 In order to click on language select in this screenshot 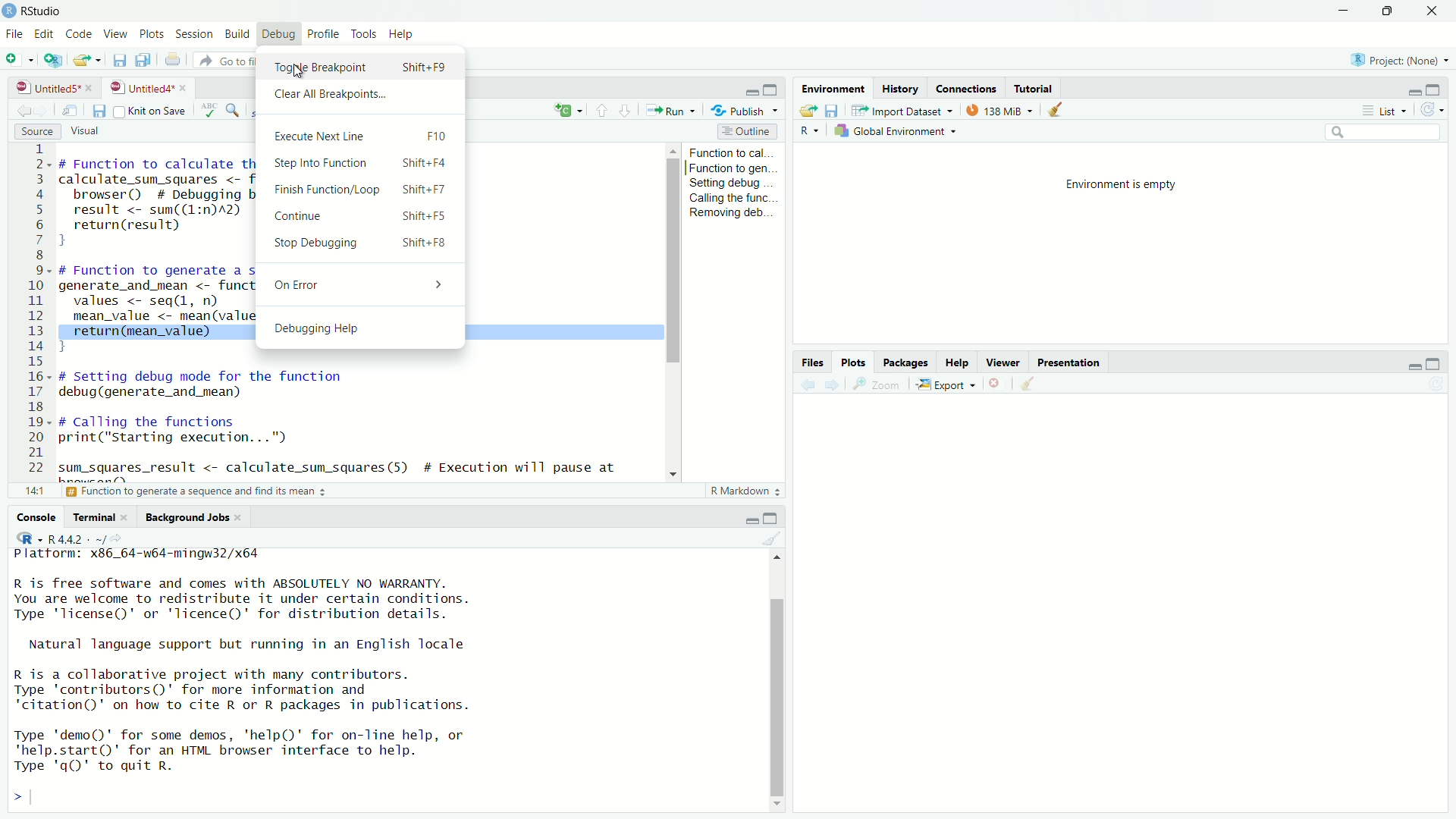, I will do `click(23, 538)`.